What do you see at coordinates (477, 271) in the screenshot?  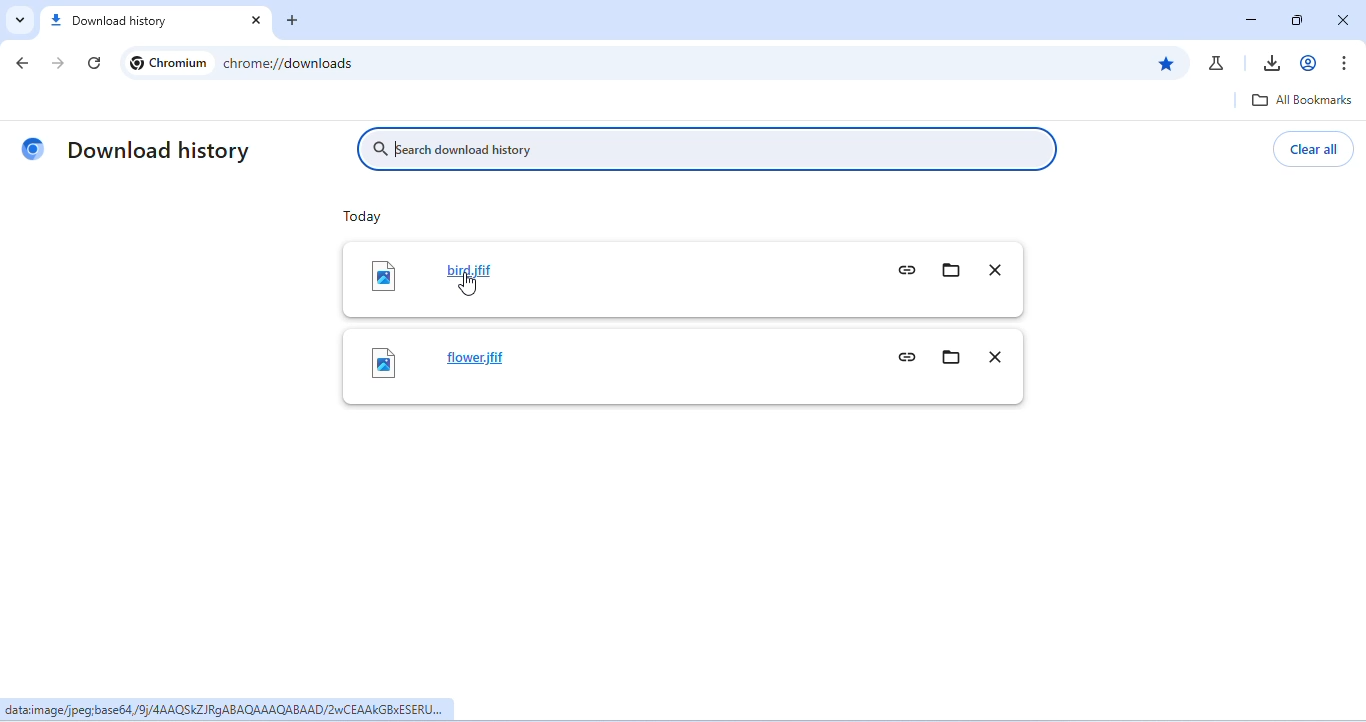 I see `bird.jfif` at bounding box center [477, 271].